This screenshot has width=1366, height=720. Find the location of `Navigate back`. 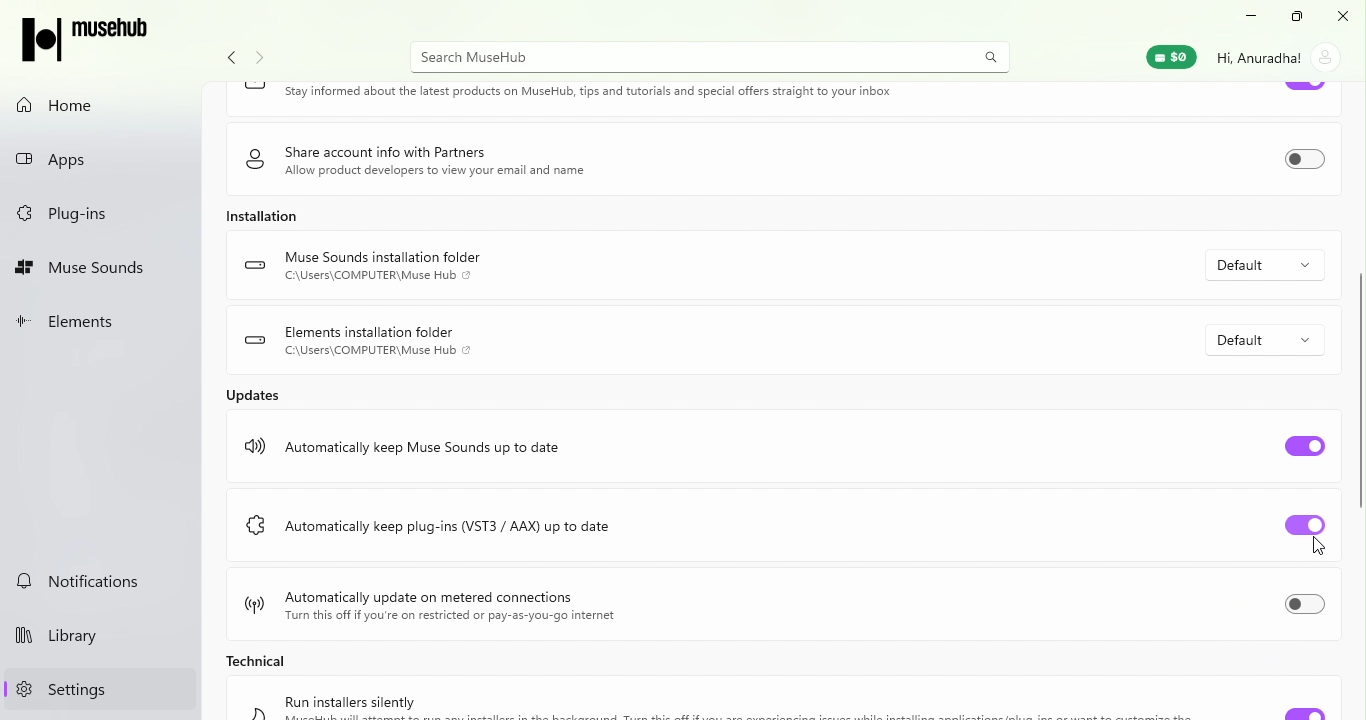

Navigate back is located at coordinates (230, 58).